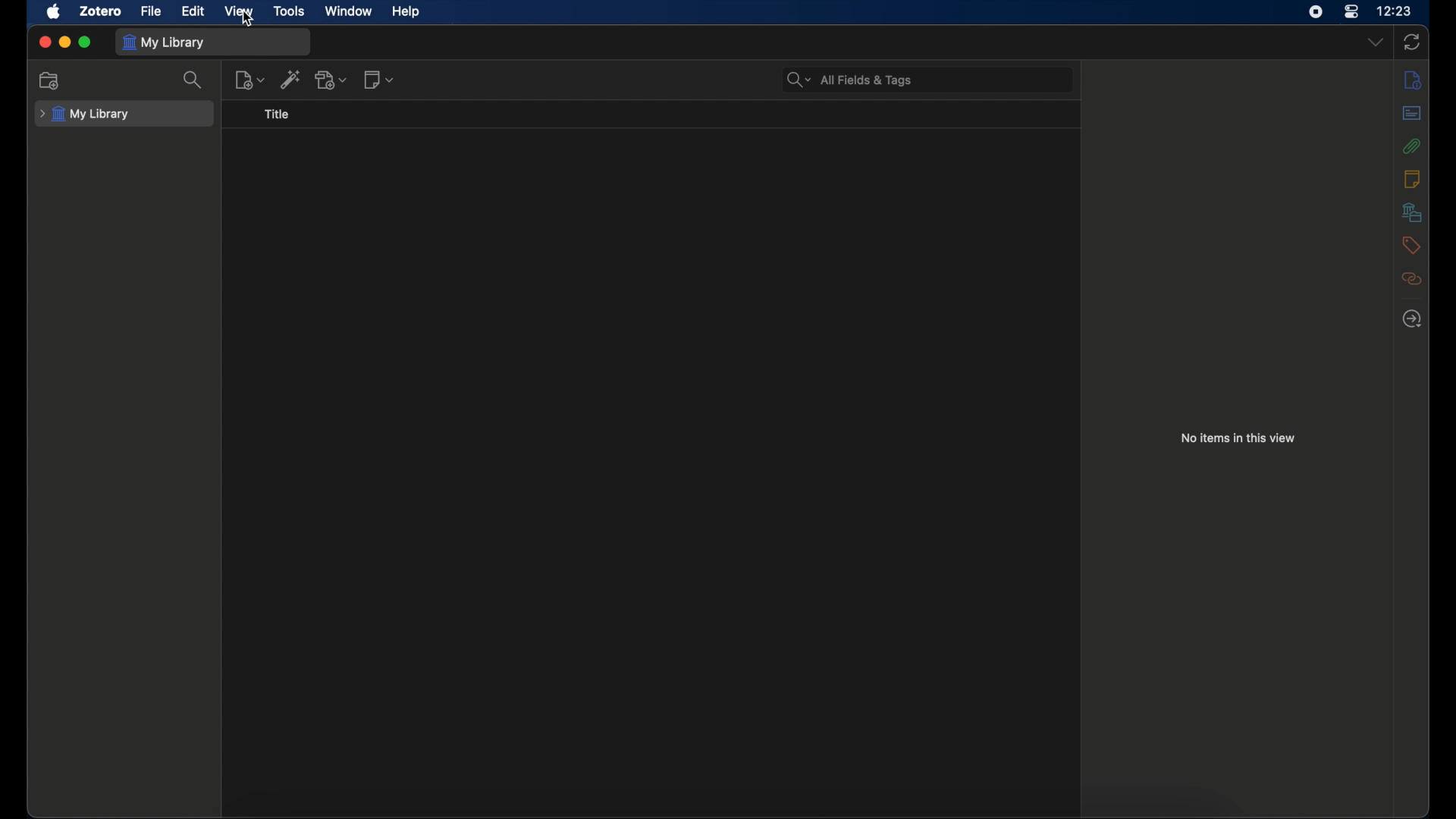  I want to click on view, so click(238, 11).